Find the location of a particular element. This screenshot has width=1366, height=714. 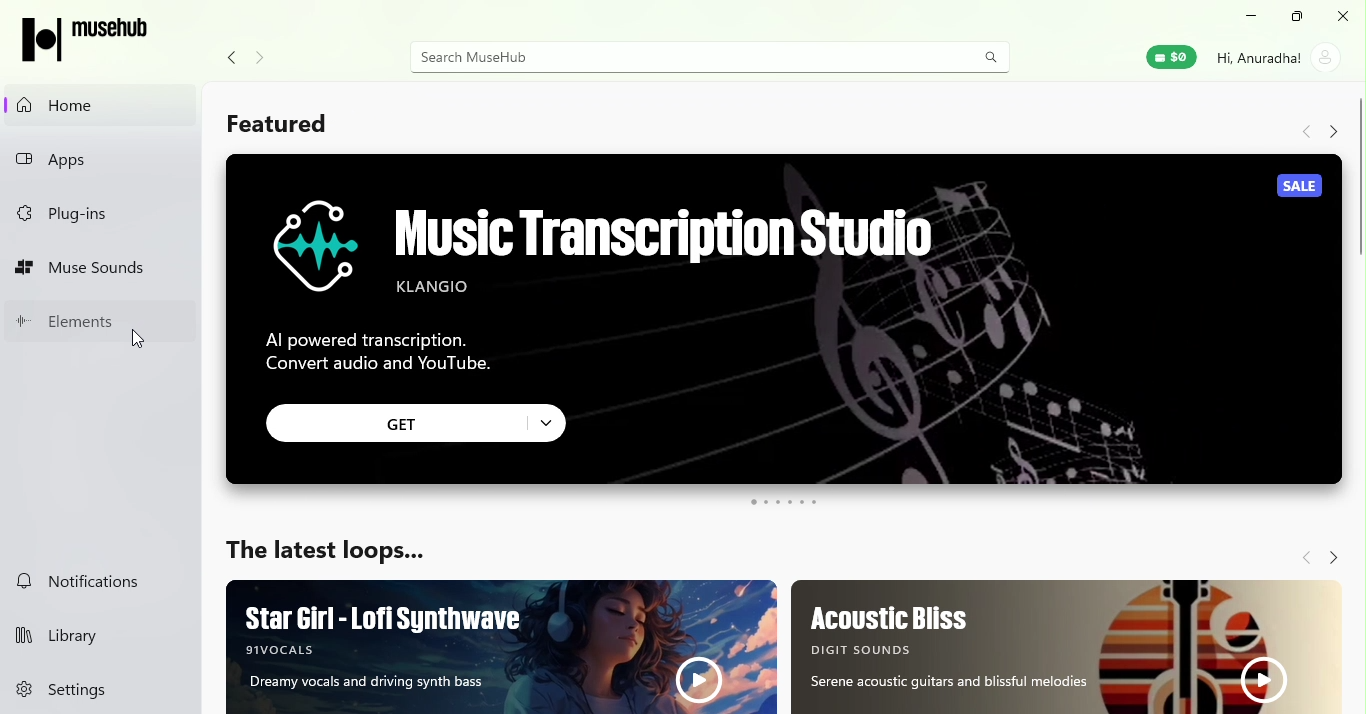

cursor is located at coordinates (141, 340).